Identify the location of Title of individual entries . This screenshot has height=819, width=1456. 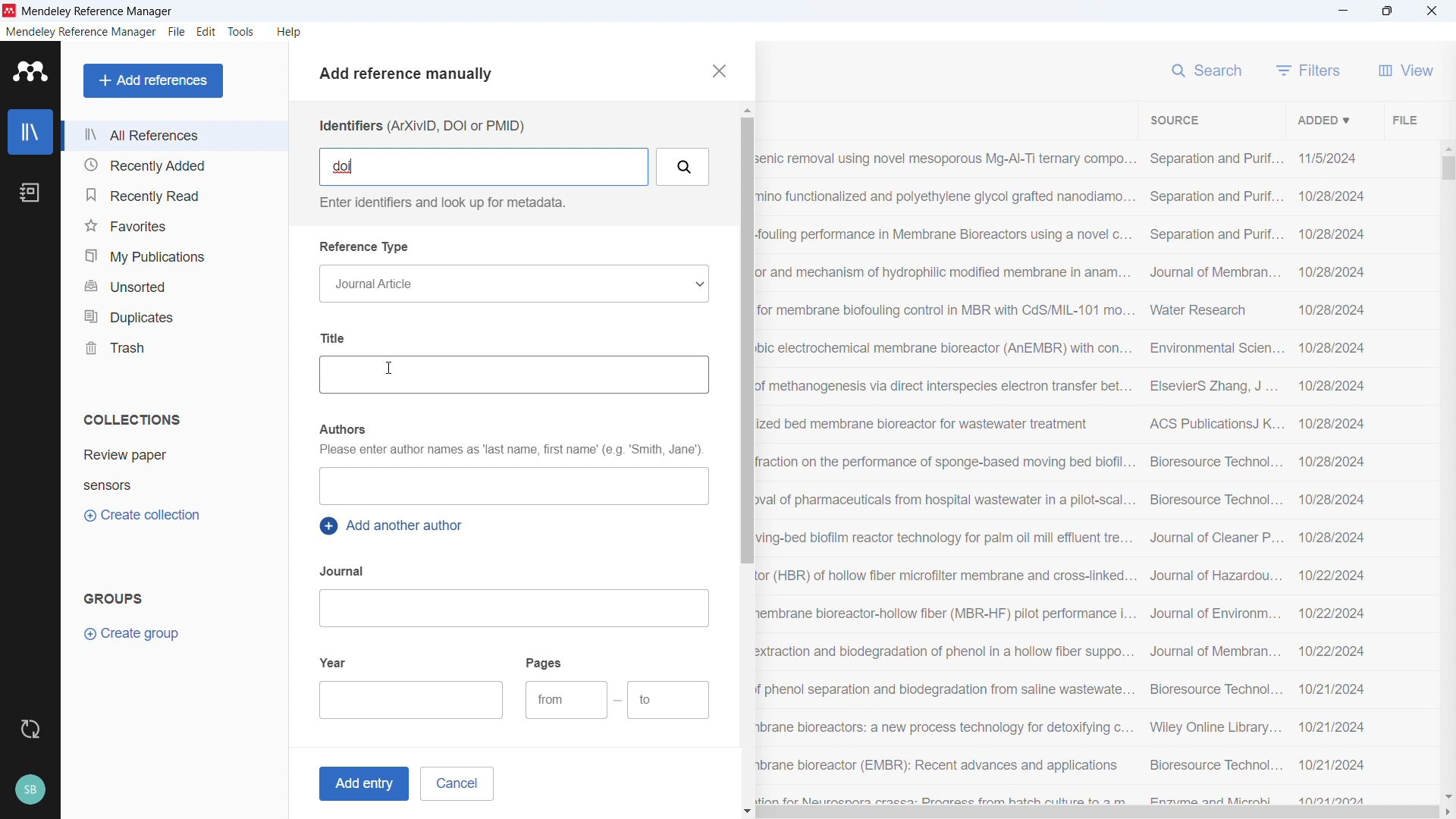
(946, 475).